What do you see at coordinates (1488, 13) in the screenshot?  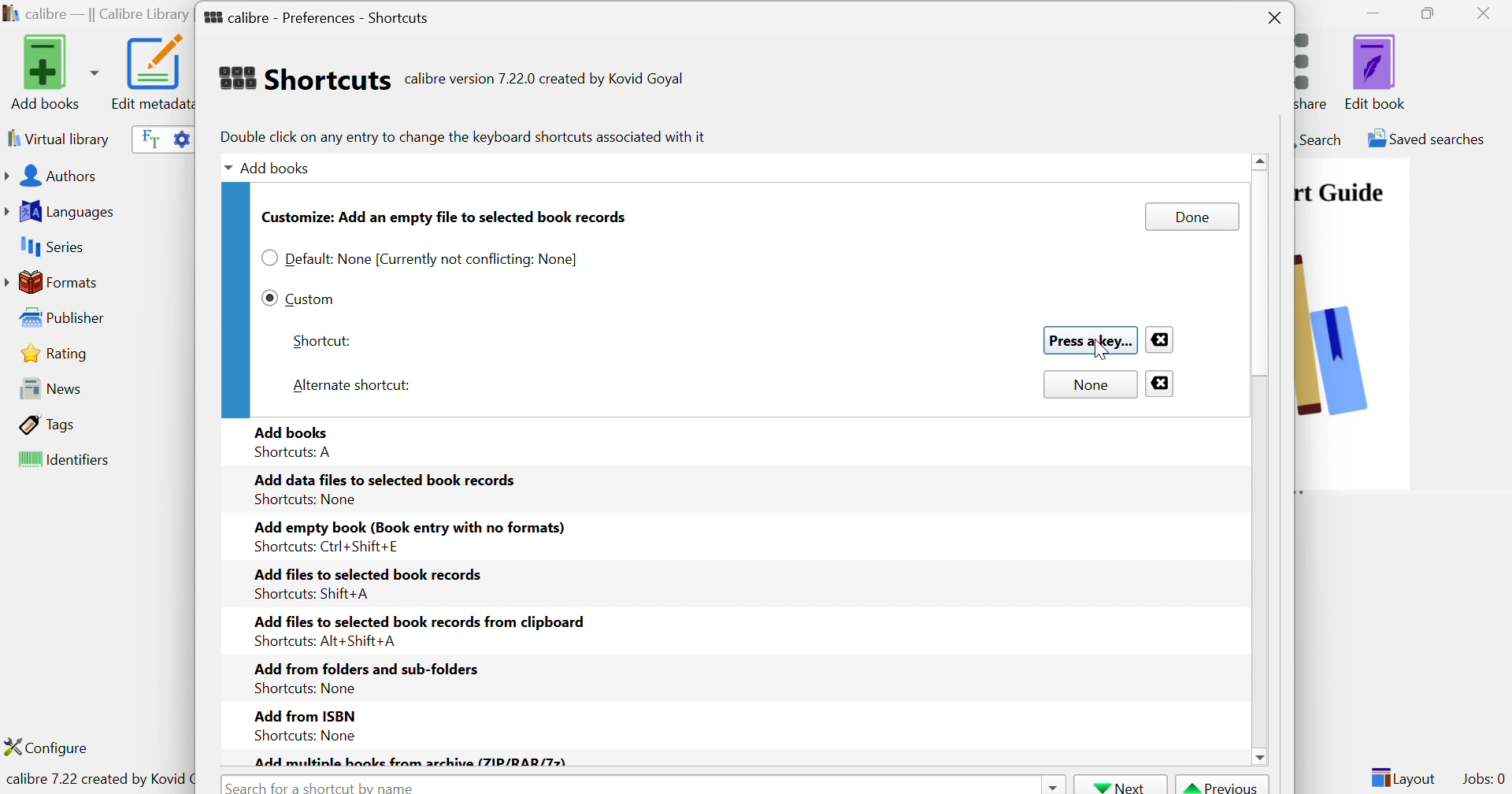 I see `Close` at bounding box center [1488, 13].